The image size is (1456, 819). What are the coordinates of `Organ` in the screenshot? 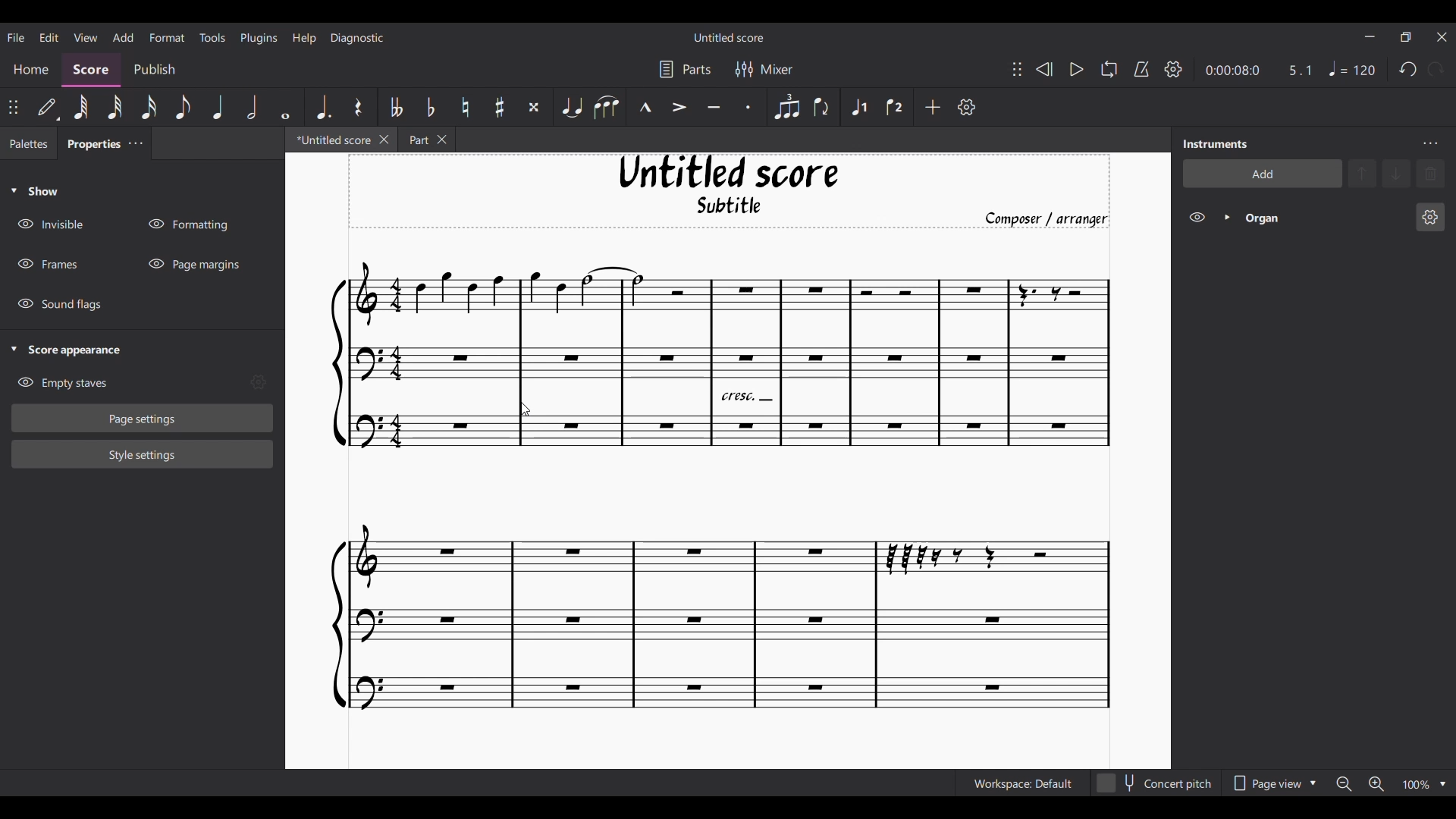 It's located at (1324, 218).